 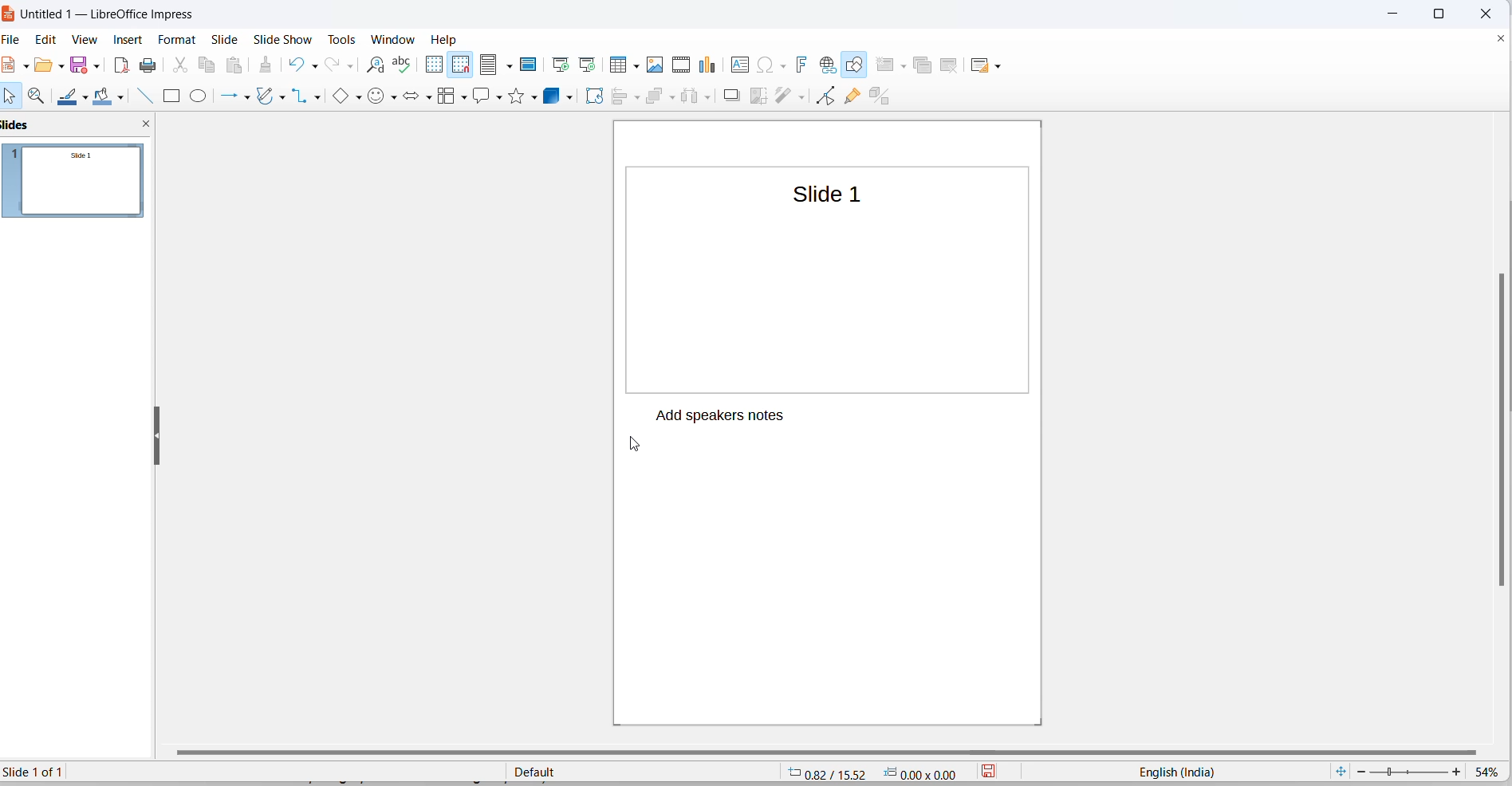 What do you see at coordinates (1000, 65) in the screenshot?
I see `slide layout options` at bounding box center [1000, 65].